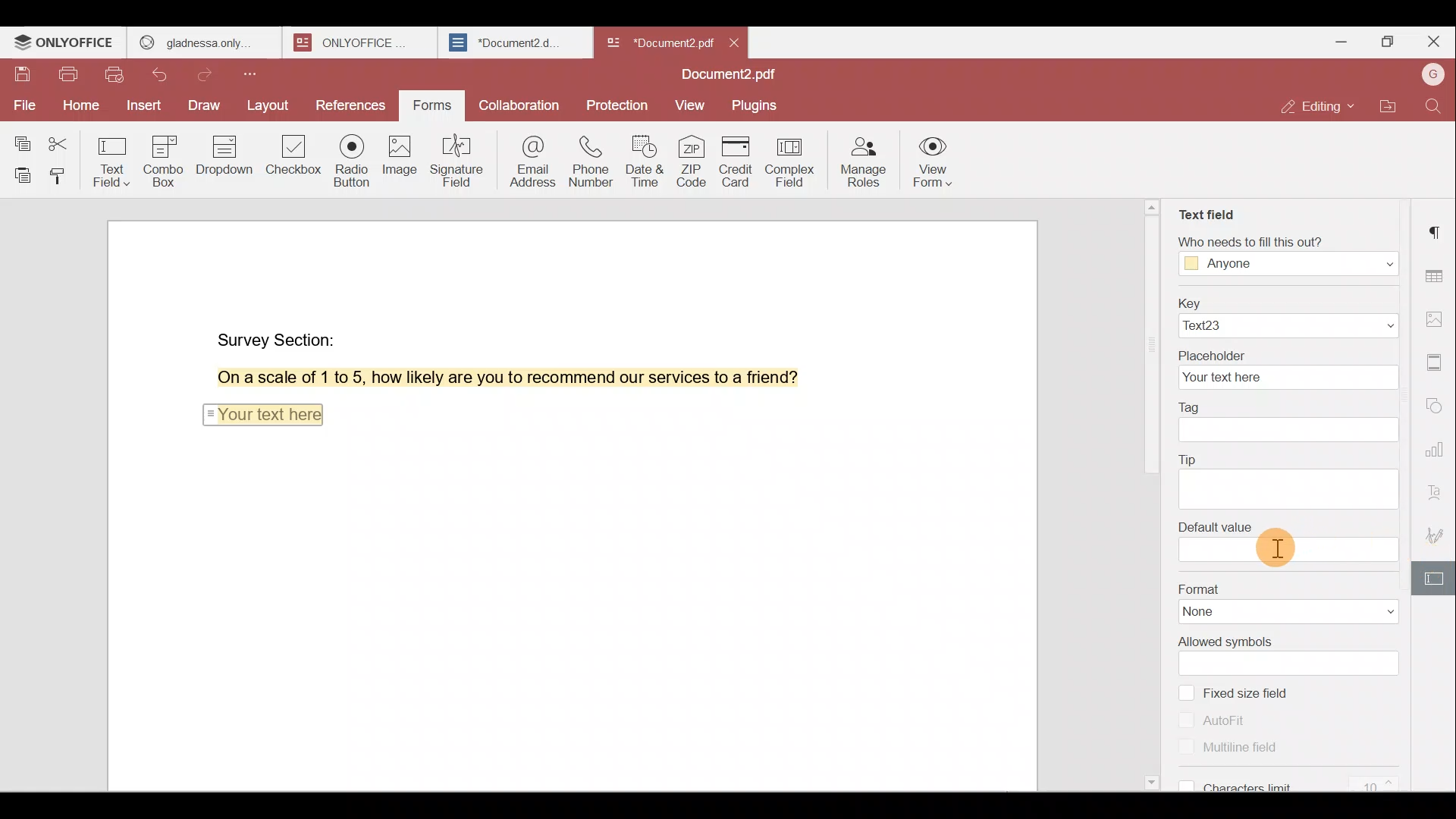 Image resolution: width=1456 pixels, height=819 pixels. I want to click on Signature settings, so click(1439, 534).